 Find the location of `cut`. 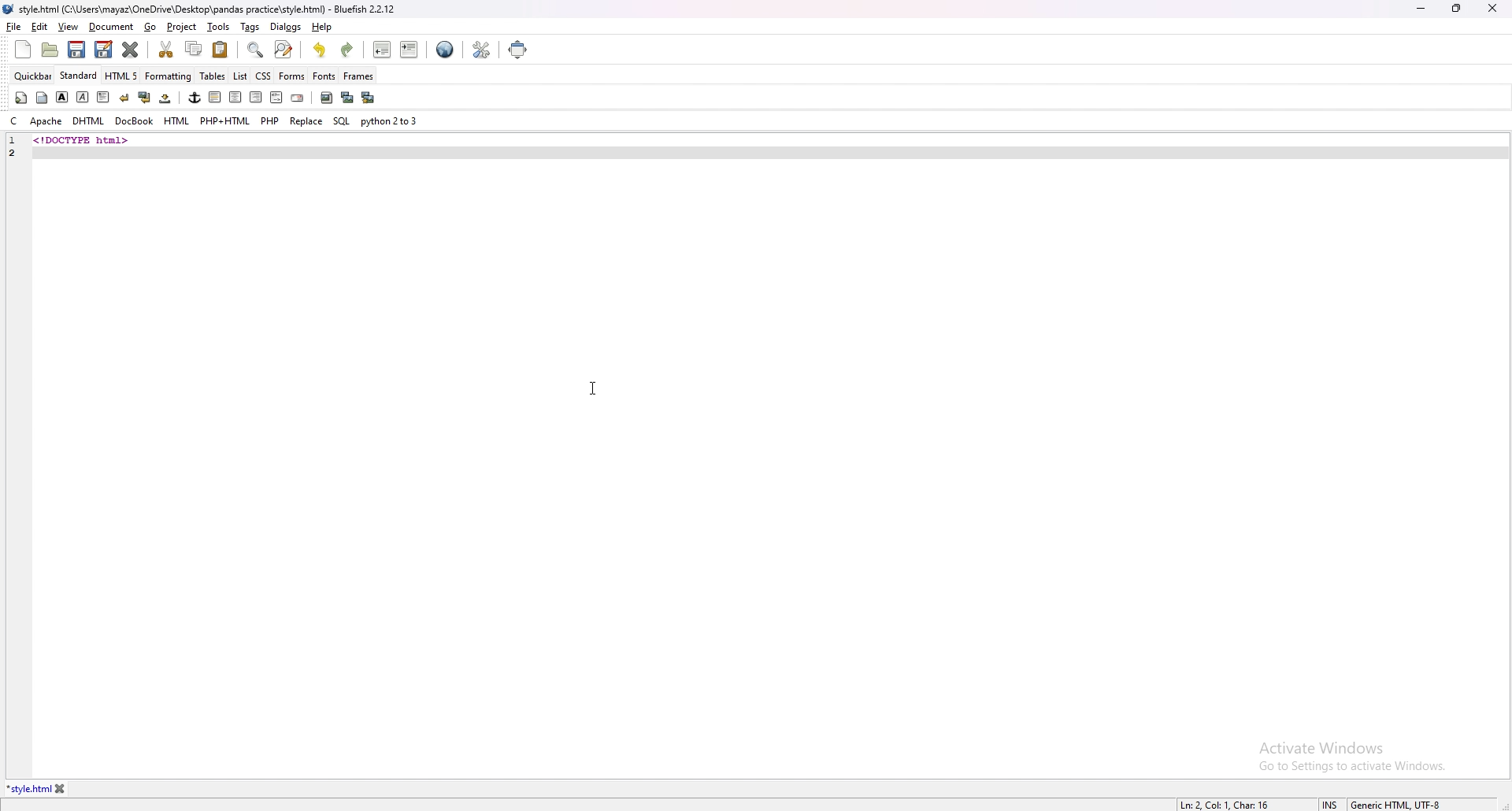

cut is located at coordinates (168, 49).